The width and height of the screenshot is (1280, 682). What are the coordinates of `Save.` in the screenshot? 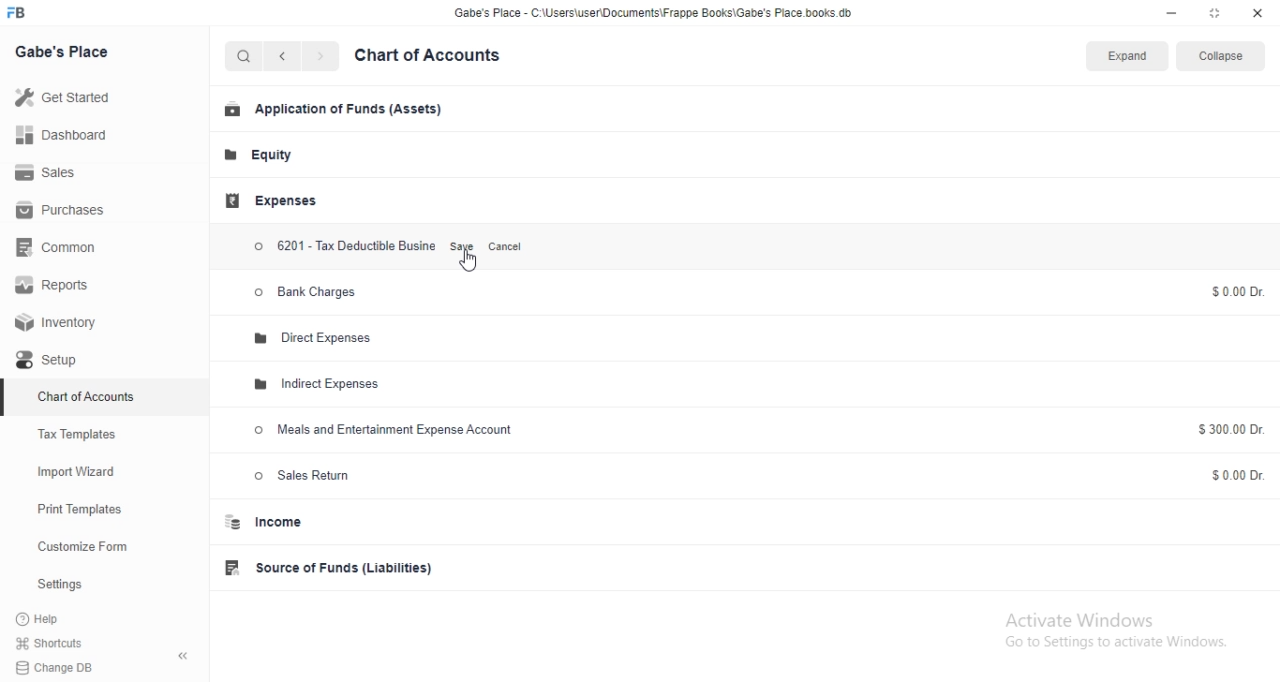 It's located at (462, 246).